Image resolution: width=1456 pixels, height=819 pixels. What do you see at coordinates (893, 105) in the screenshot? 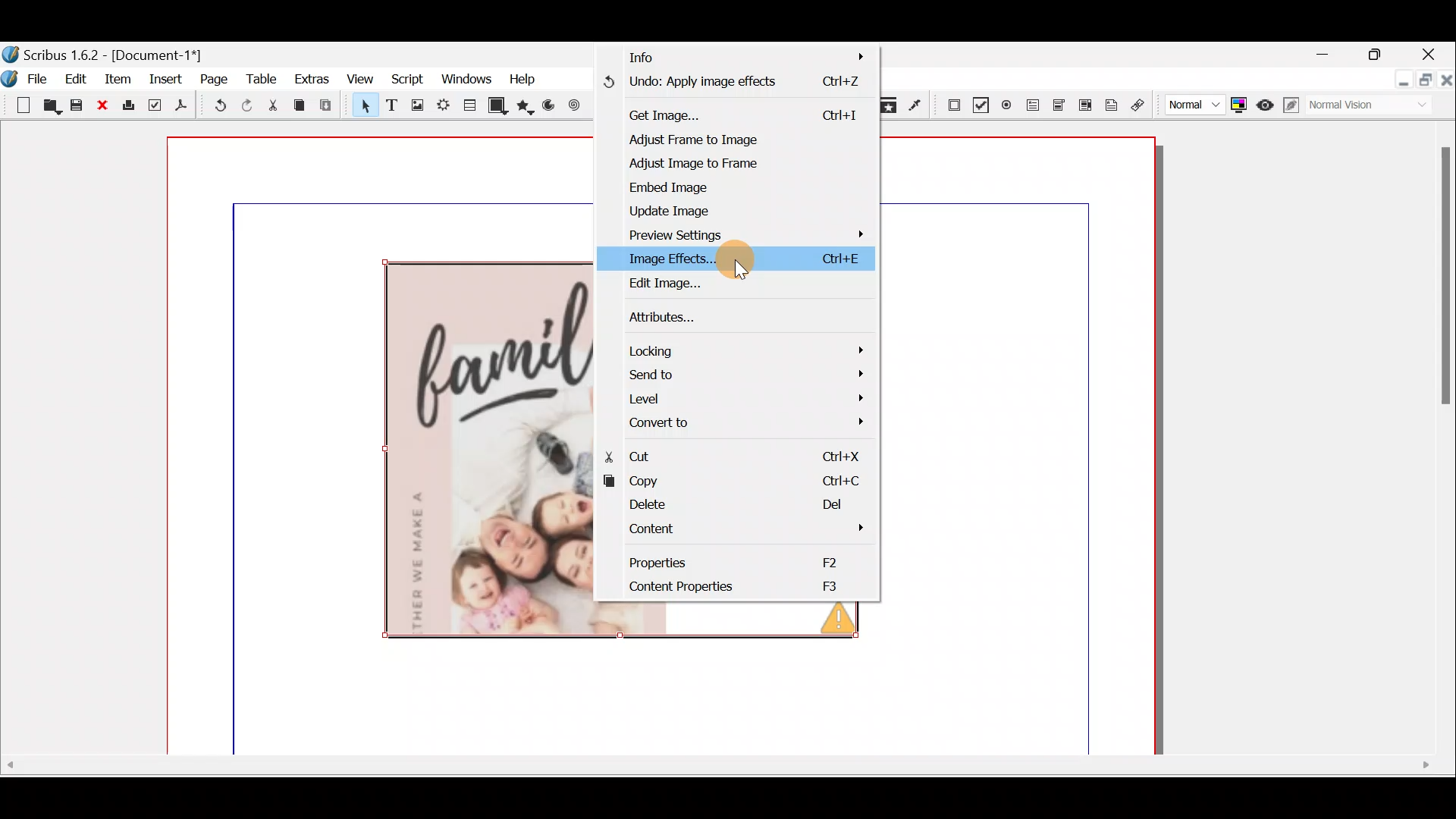
I see `Copy items properties` at bounding box center [893, 105].